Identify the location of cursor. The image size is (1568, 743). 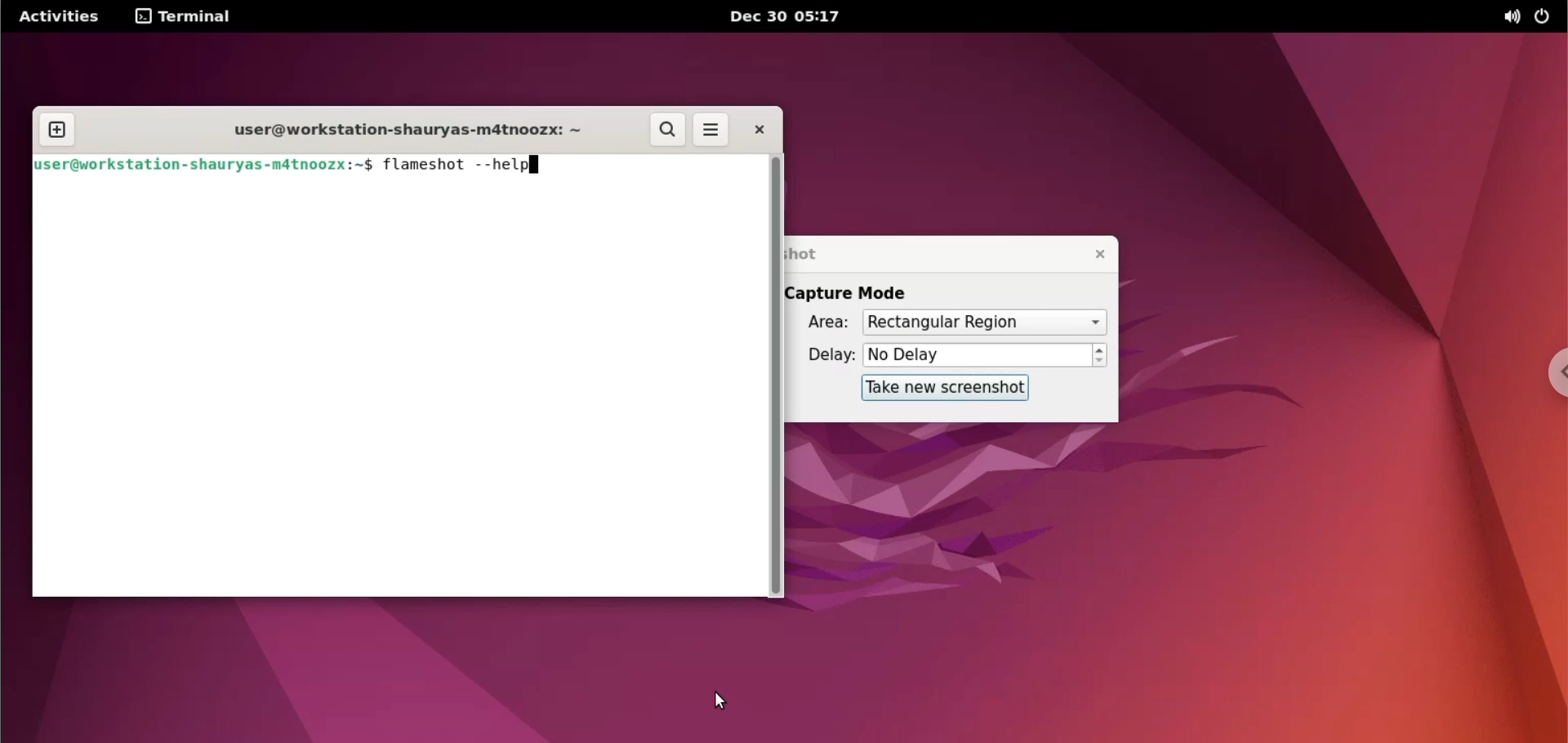
(718, 700).